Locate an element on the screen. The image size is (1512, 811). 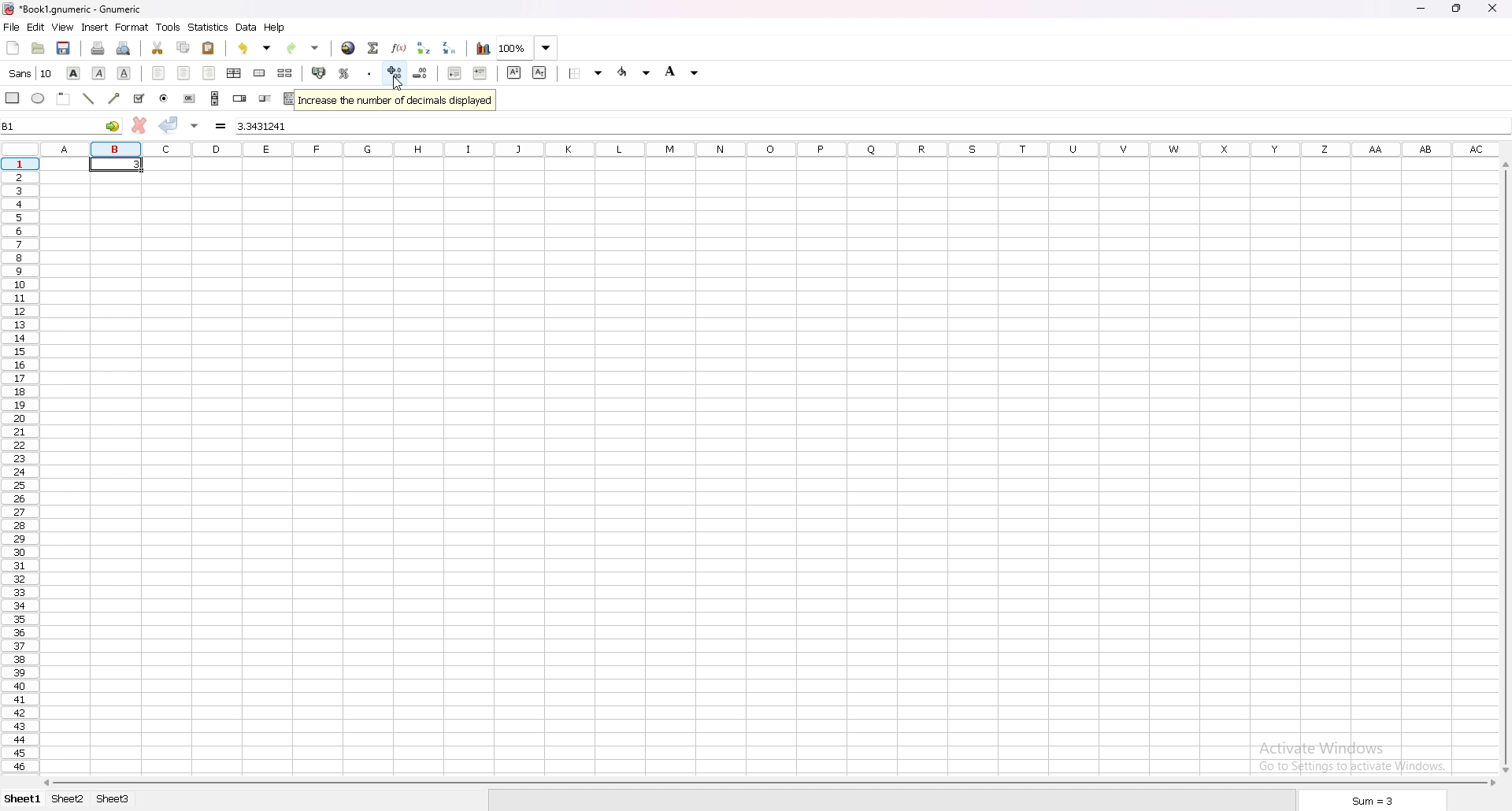
file is located at coordinates (11, 28).